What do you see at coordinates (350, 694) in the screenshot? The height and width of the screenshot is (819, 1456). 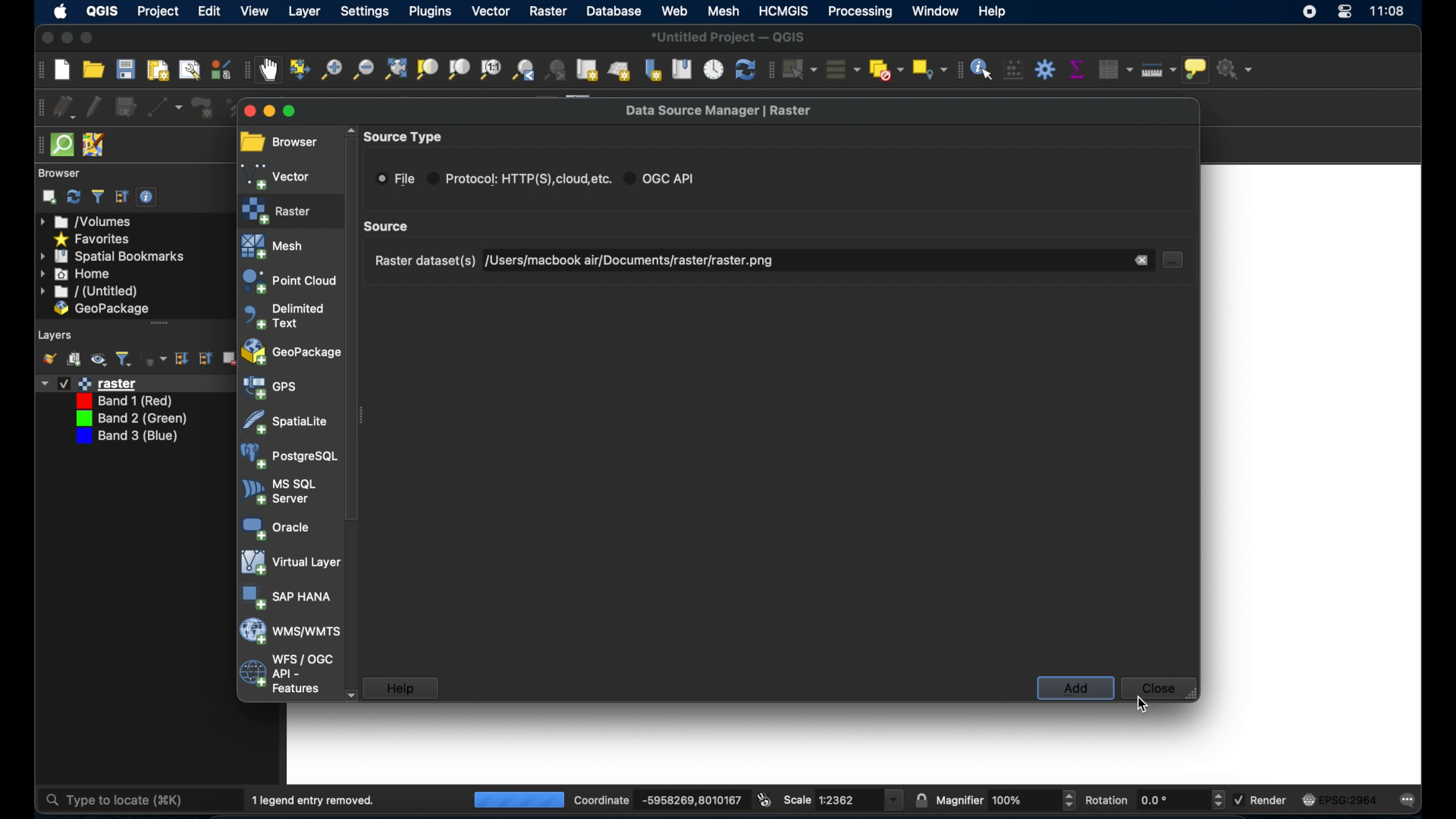 I see `scroll down arrow` at bounding box center [350, 694].